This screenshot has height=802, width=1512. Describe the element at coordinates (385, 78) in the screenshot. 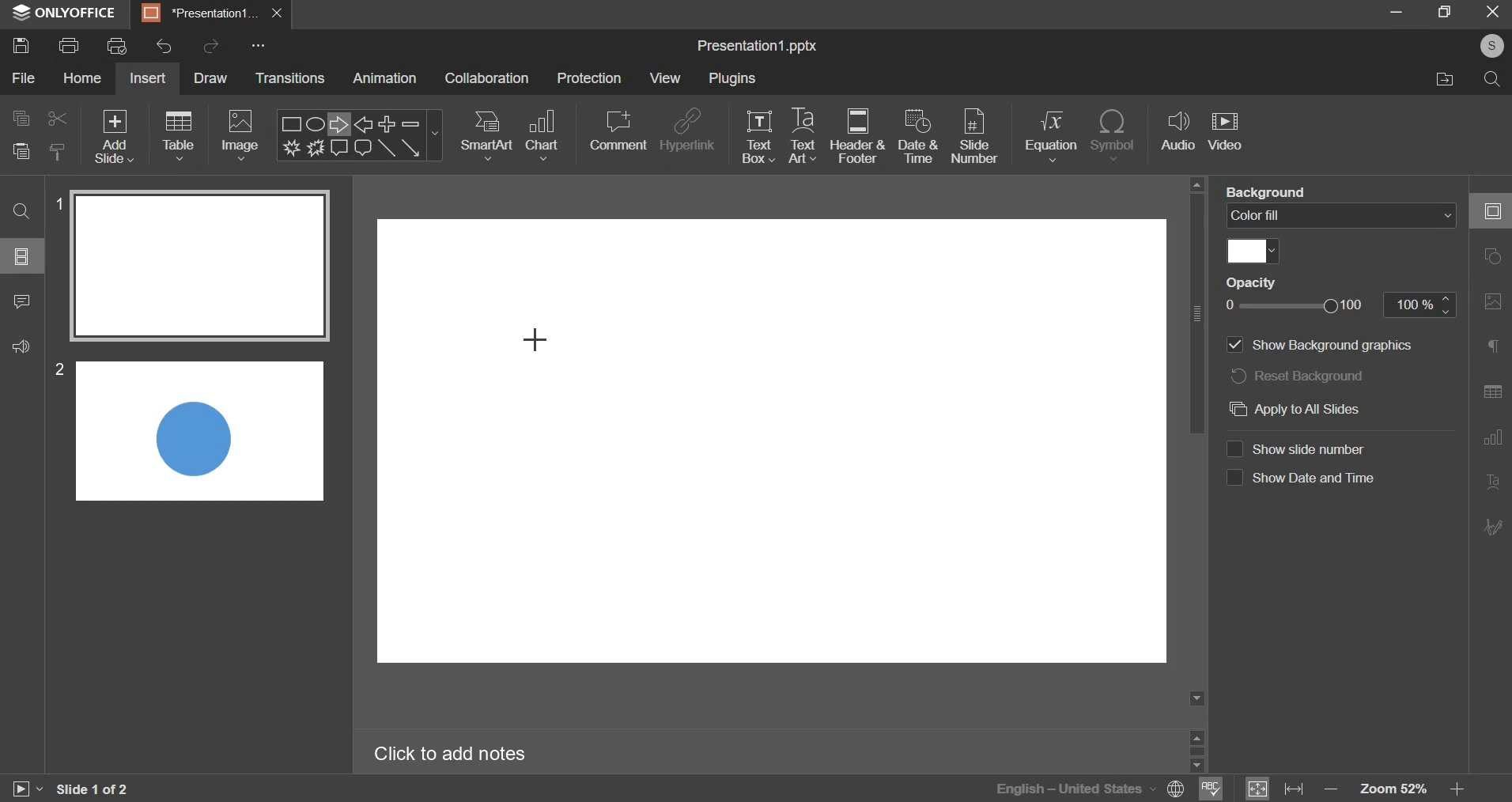

I see `animation` at that location.